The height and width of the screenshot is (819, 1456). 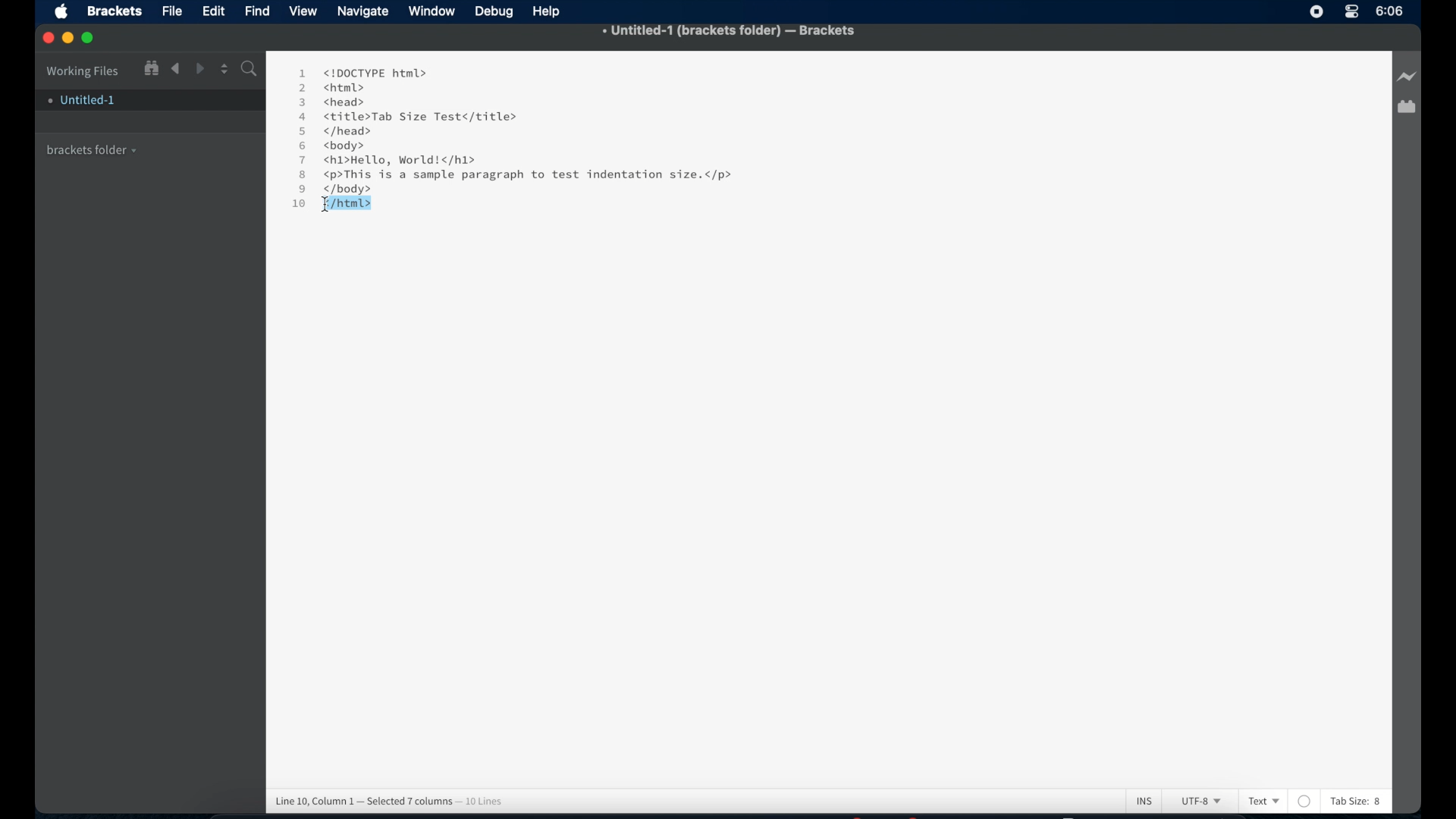 I want to click on Stop, so click(x=1316, y=11).